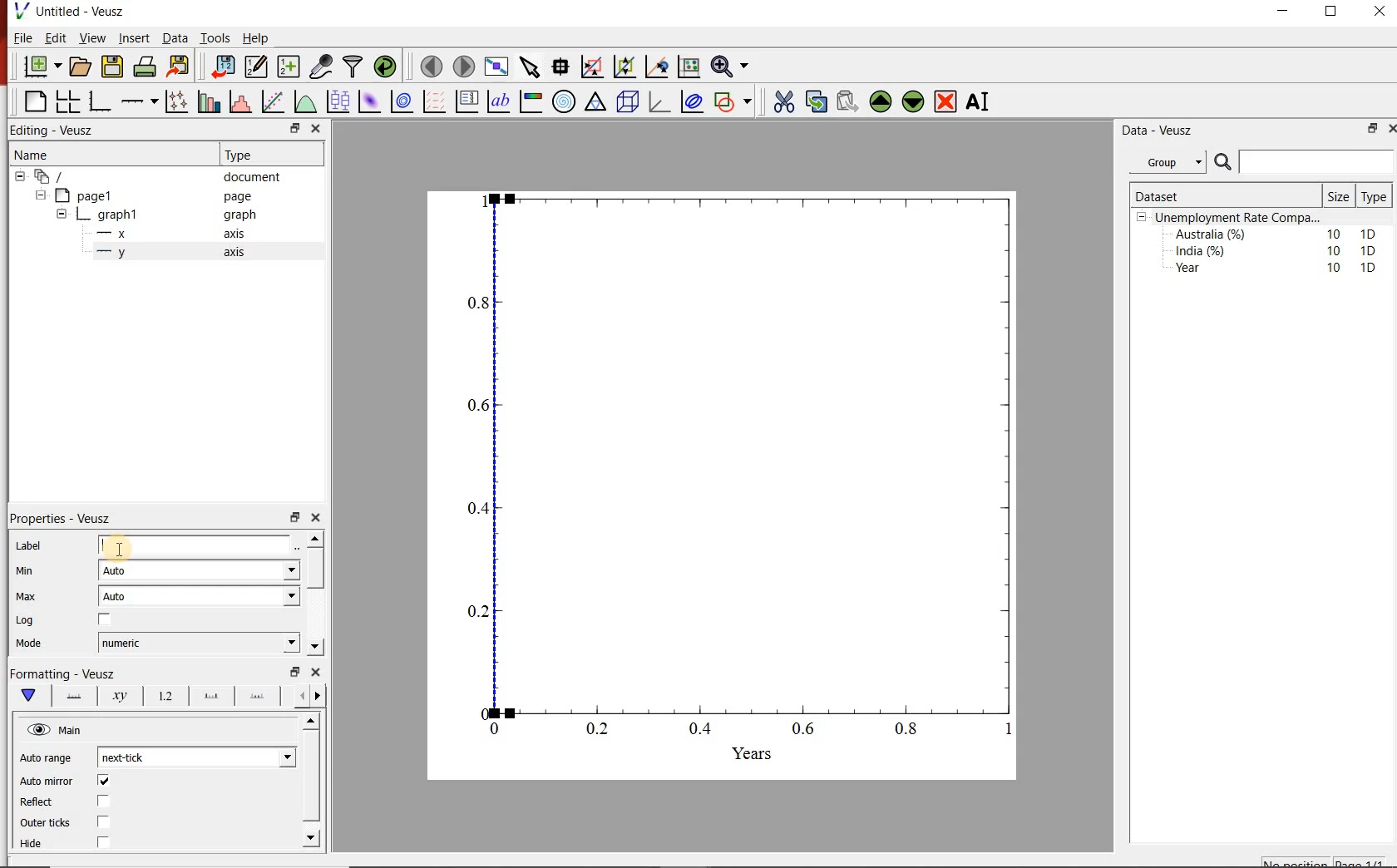 The width and height of the screenshot is (1397, 868). What do you see at coordinates (317, 518) in the screenshot?
I see `close` at bounding box center [317, 518].